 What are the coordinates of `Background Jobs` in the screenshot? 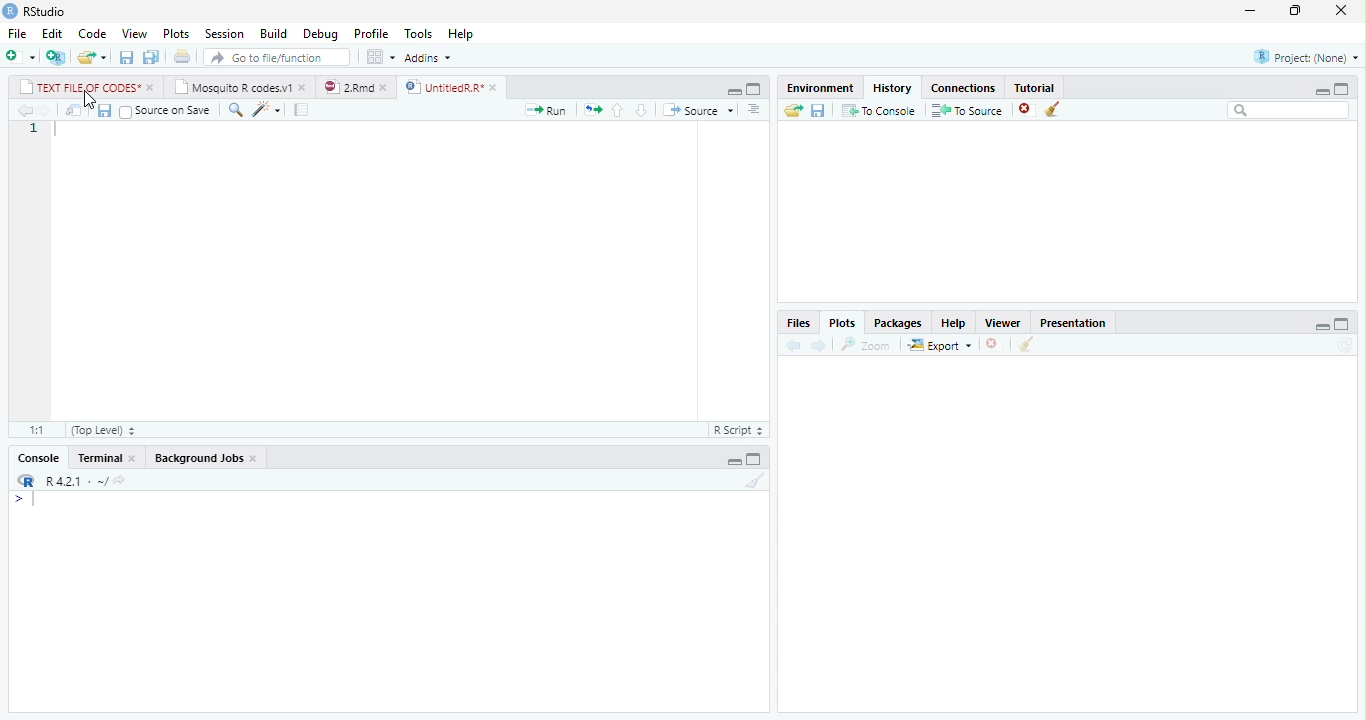 It's located at (198, 458).